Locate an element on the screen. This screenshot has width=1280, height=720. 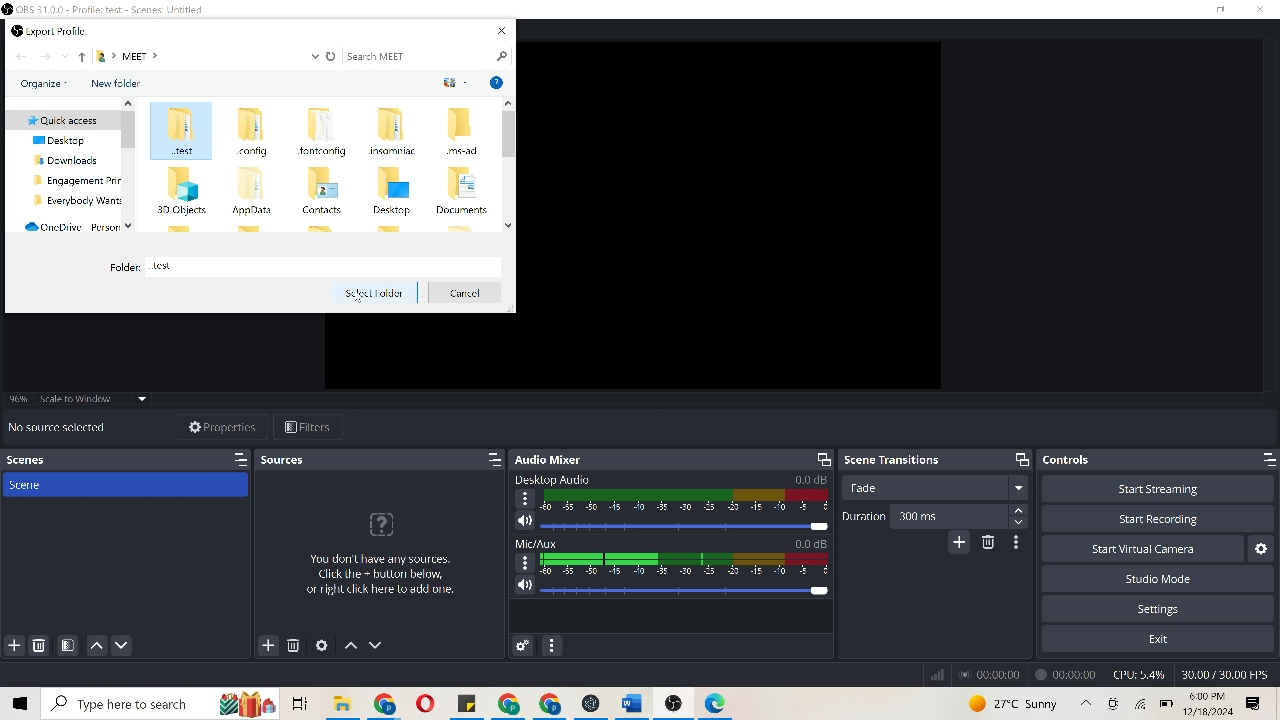
icon is located at coordinates (588, 701).